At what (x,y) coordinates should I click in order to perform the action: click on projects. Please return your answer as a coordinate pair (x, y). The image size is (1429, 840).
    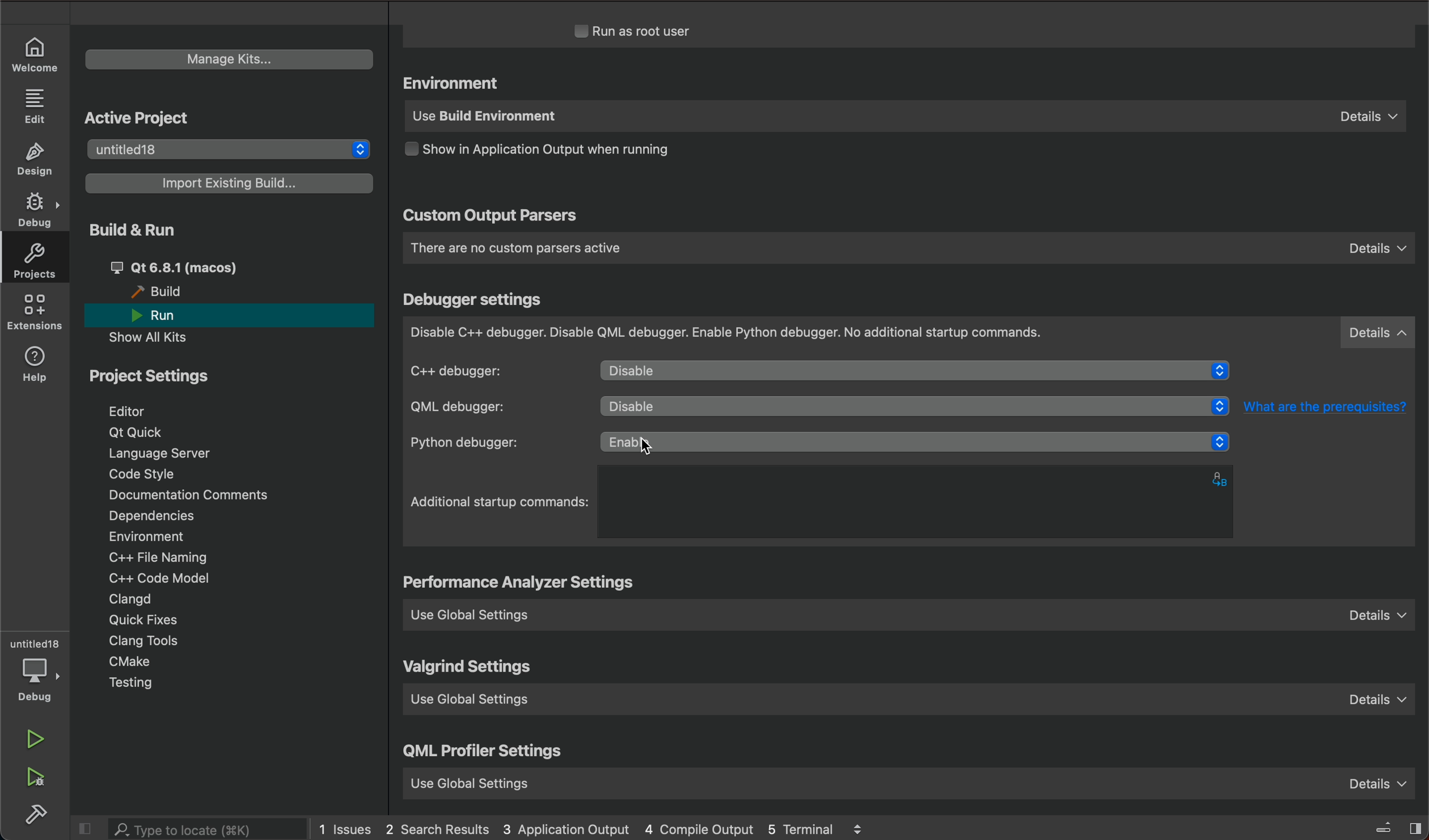
    Looking at the image, I should click on (40, 264).